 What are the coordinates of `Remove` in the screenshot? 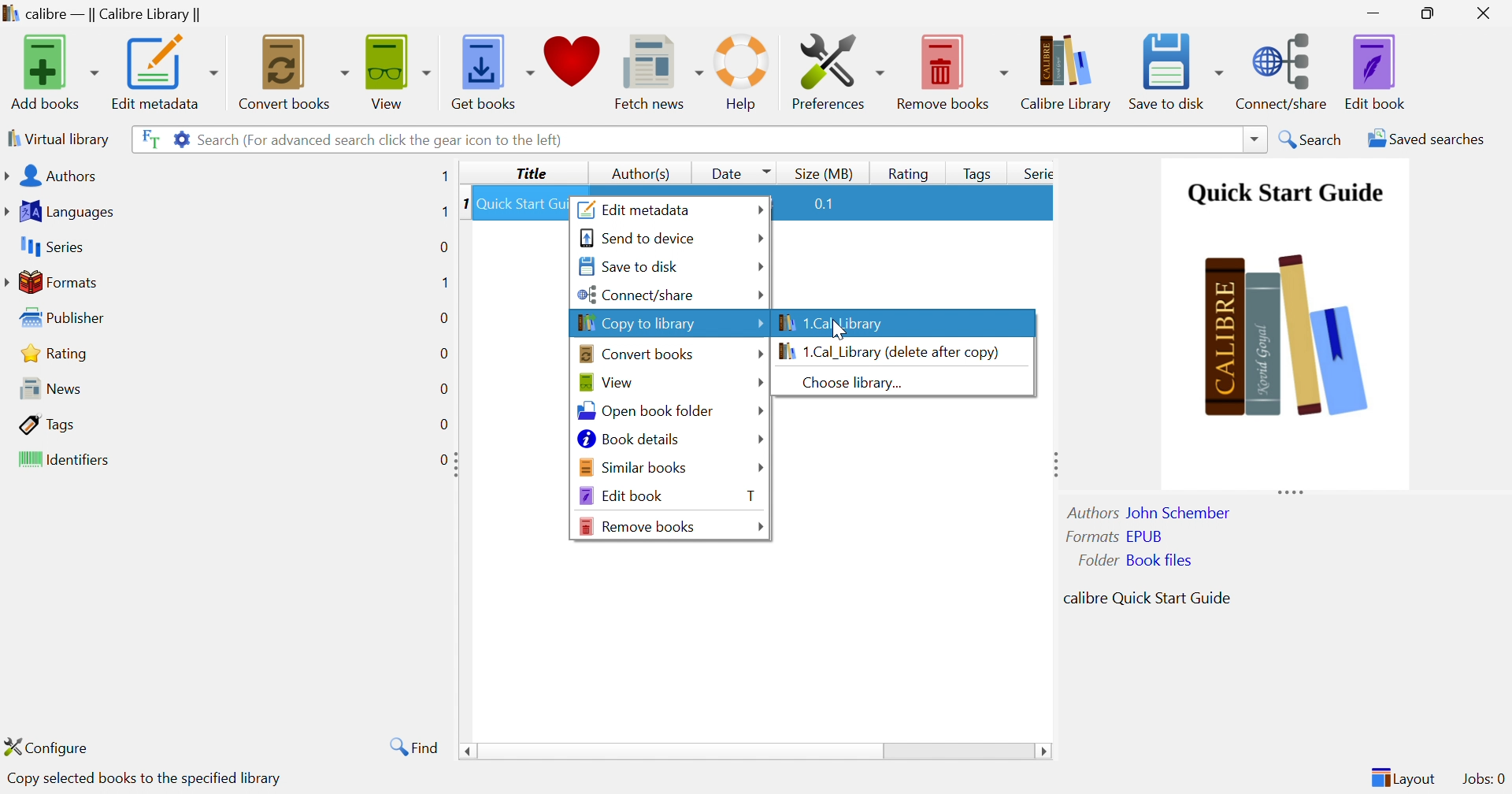 It's located at (636, 525).